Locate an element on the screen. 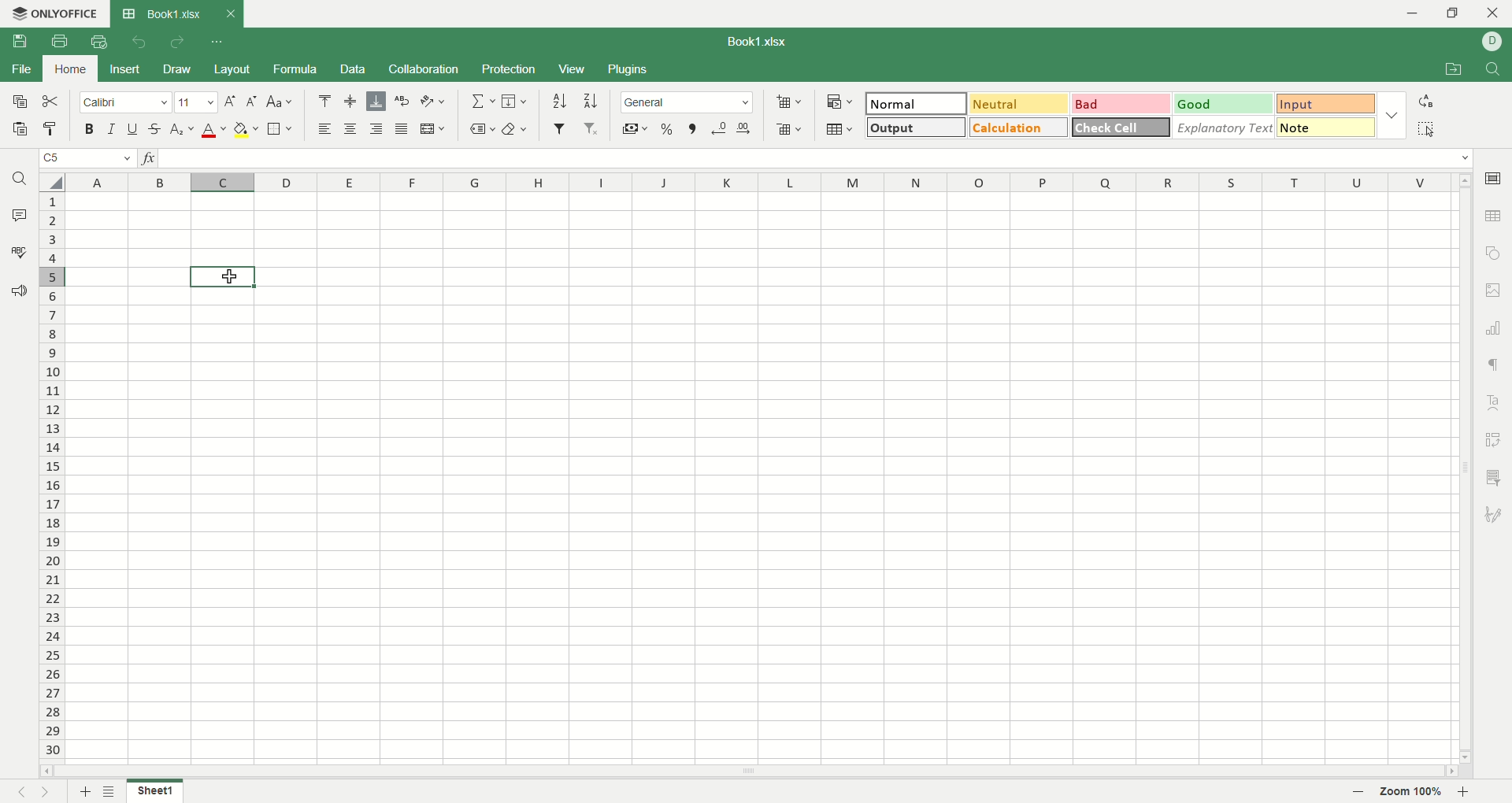  cell name is located at coordinates (86, 160).